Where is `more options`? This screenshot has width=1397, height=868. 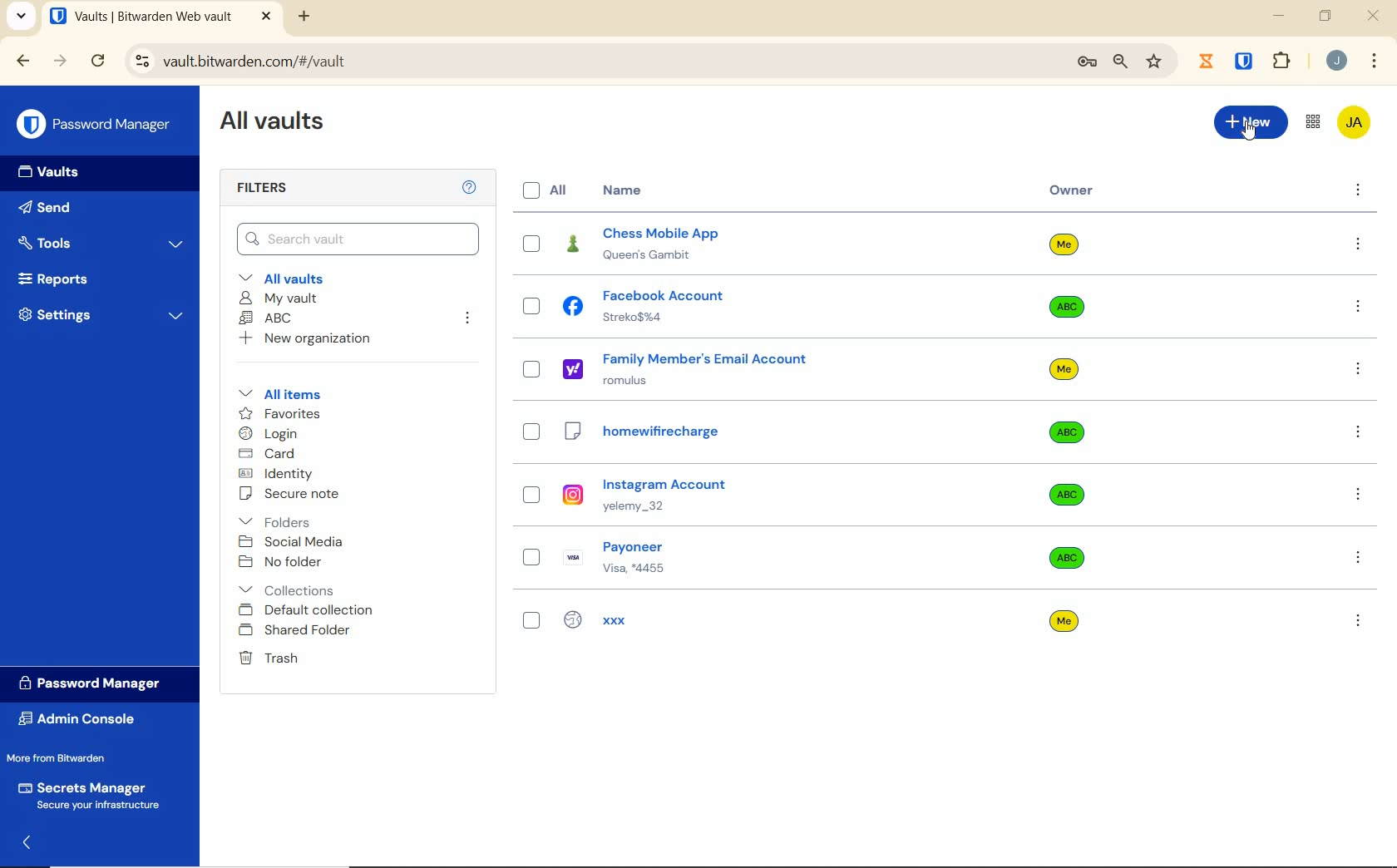 more options is located at coordinates (1358, 620).